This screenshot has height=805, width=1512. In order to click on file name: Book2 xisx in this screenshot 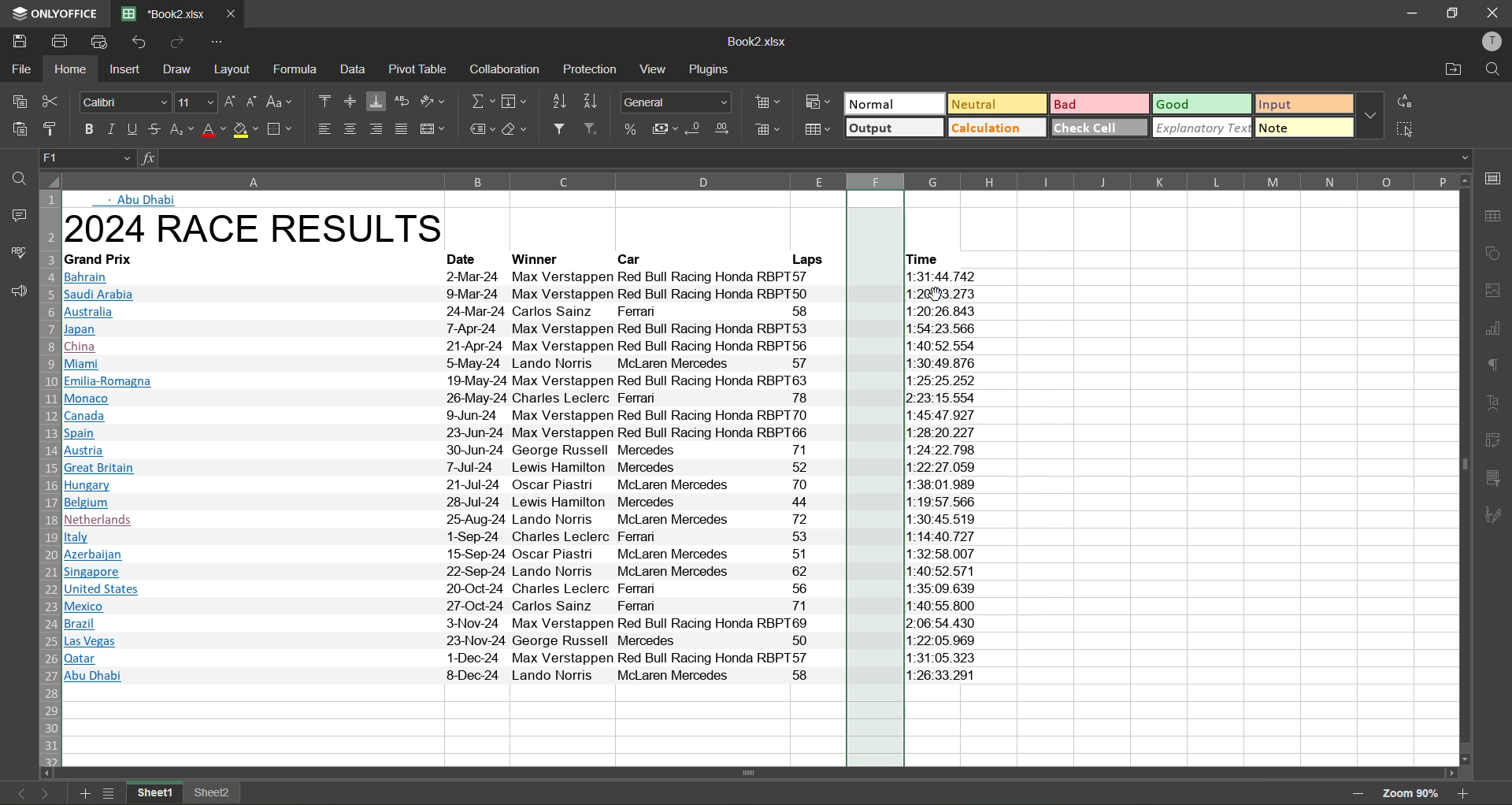, I will do `click(160, 14)`.